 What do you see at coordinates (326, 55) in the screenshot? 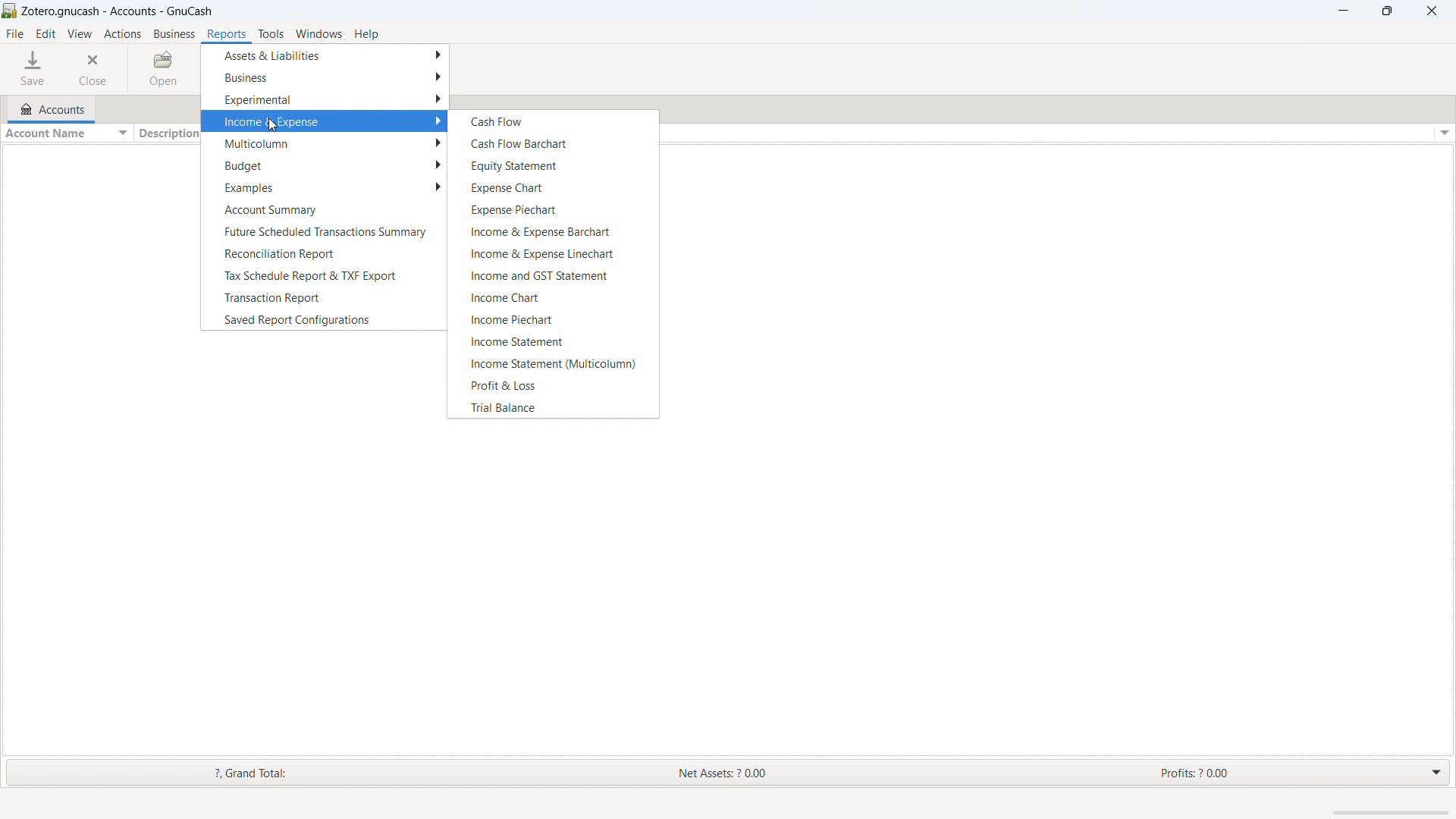
I see `assets & liabilities` at bounding box center [326, 55].